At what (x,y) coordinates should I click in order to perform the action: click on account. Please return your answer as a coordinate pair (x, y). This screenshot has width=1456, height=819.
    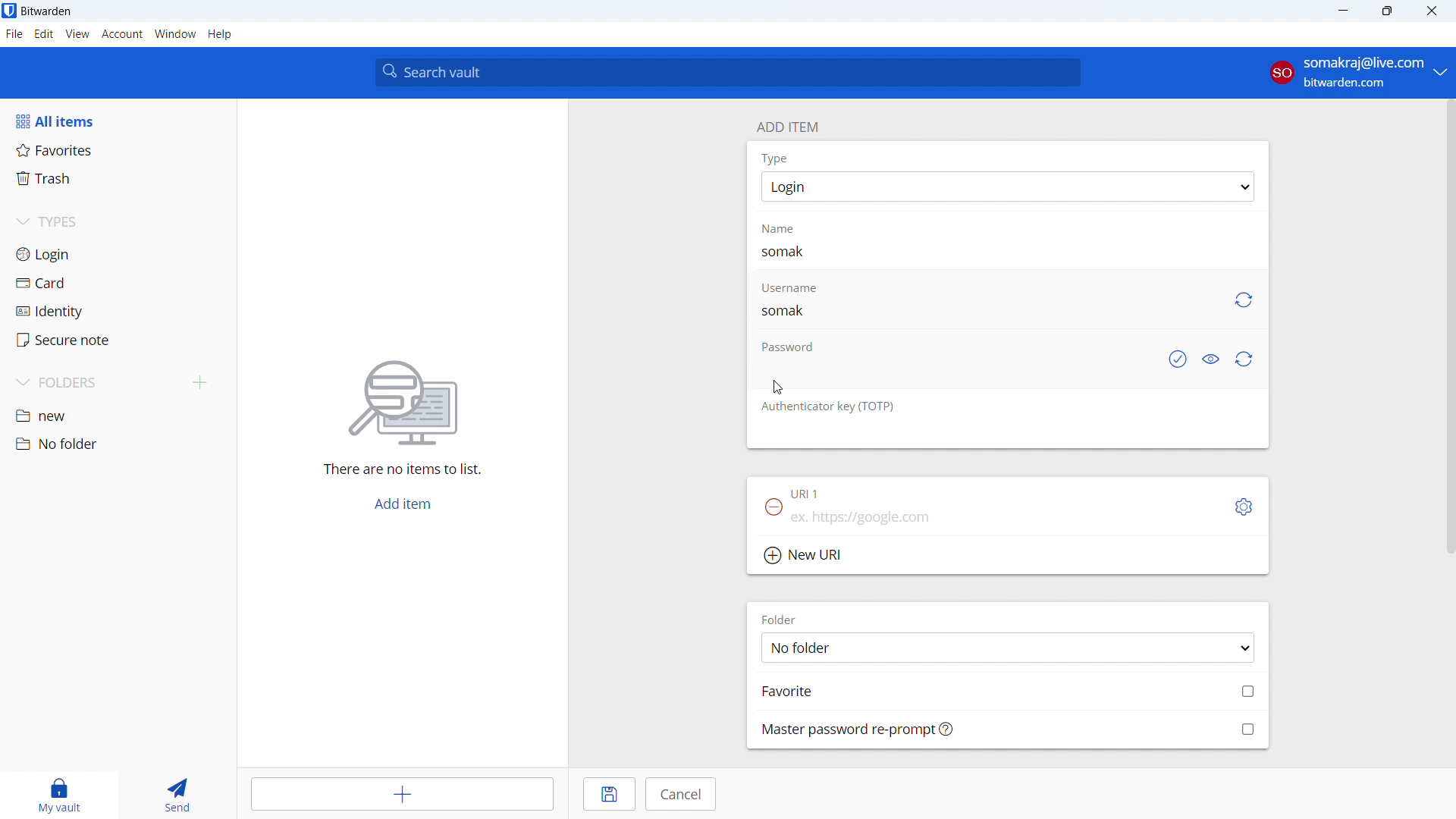
    Looking at the image, I should click on (122, 34).